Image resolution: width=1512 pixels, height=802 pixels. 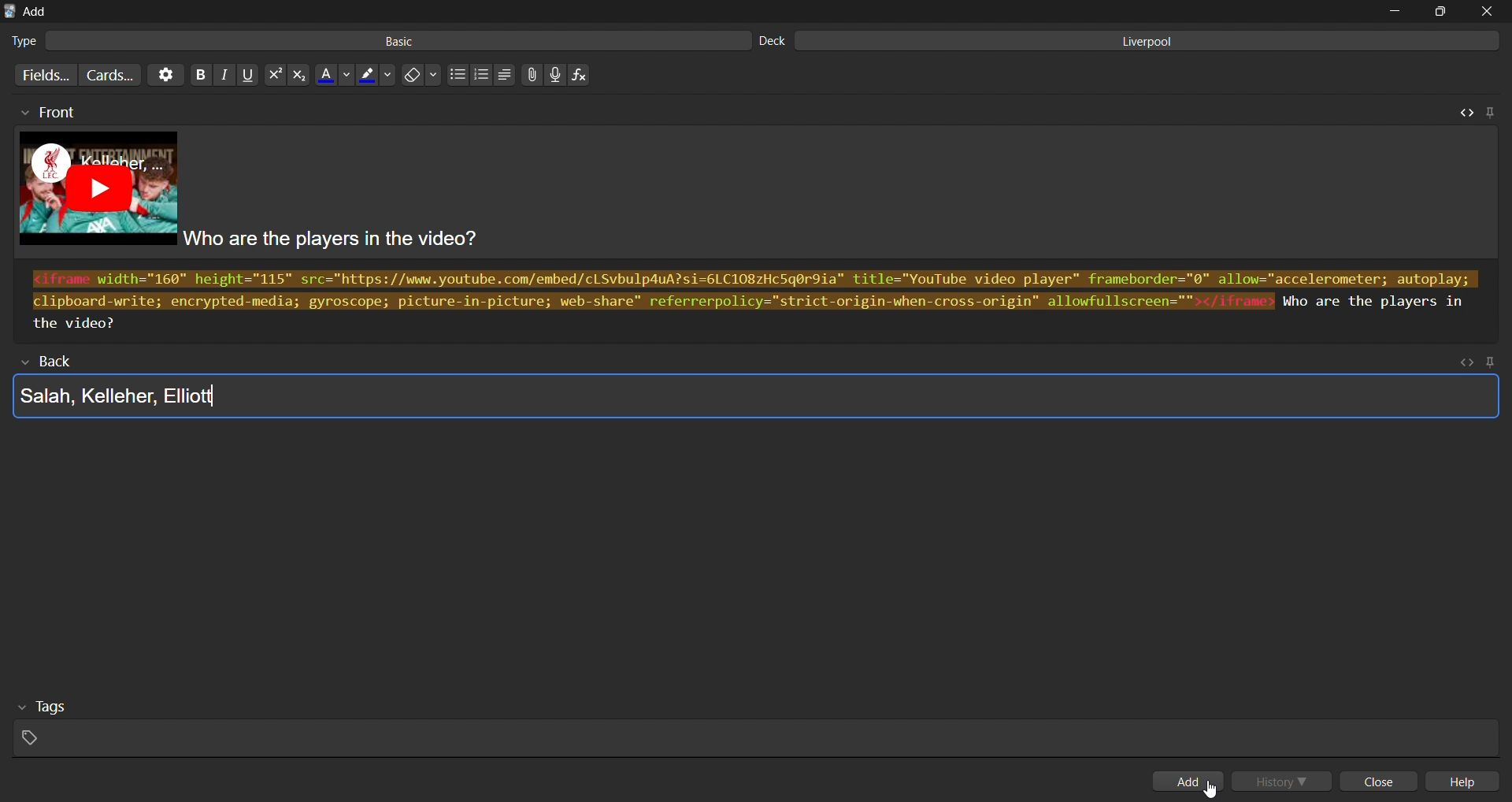 What do you see at coordinates (504, 75) in the screenshot?
I see `line spacing` at bounding box center [504, 75].